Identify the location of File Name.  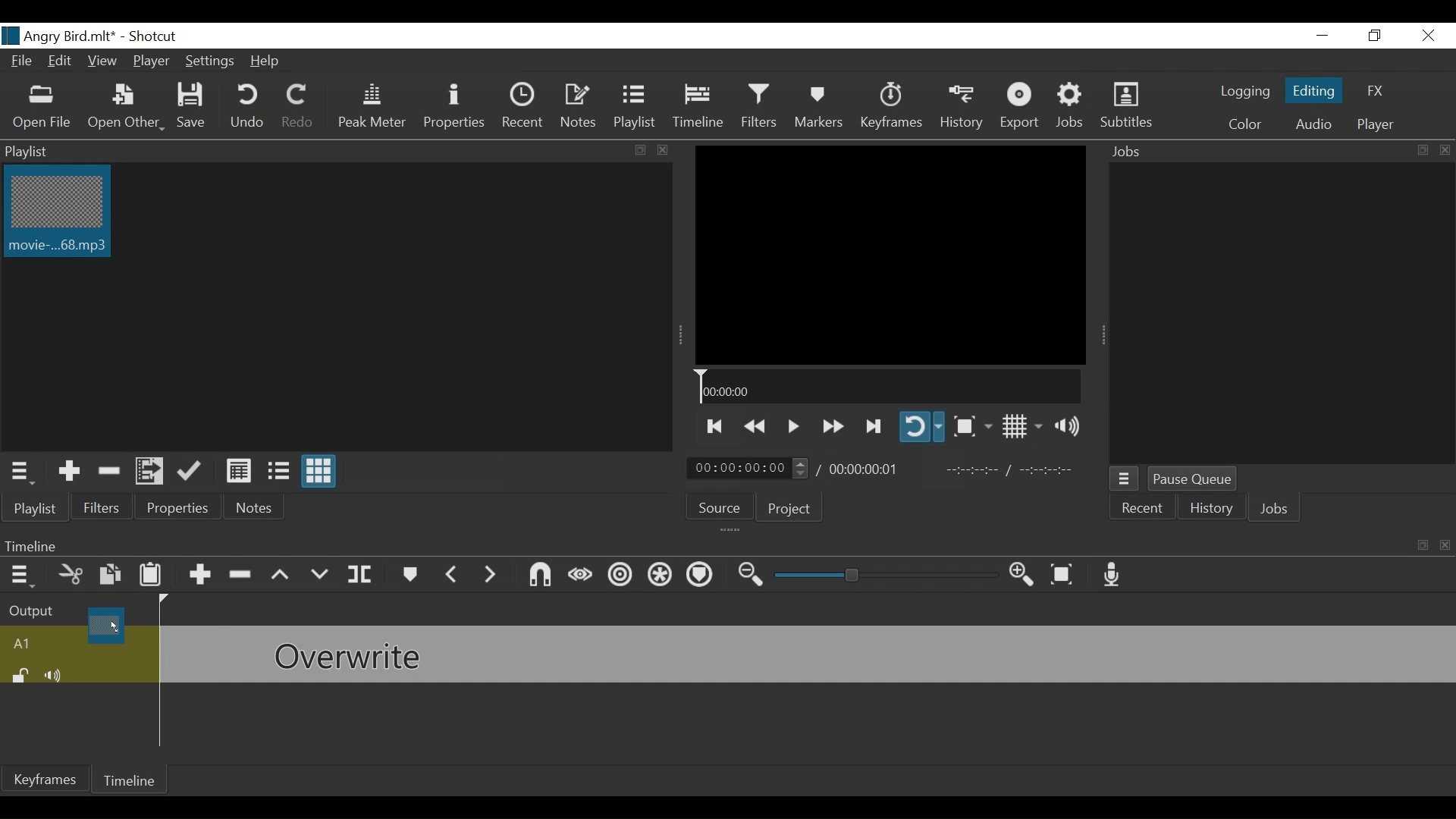
(60, 36).